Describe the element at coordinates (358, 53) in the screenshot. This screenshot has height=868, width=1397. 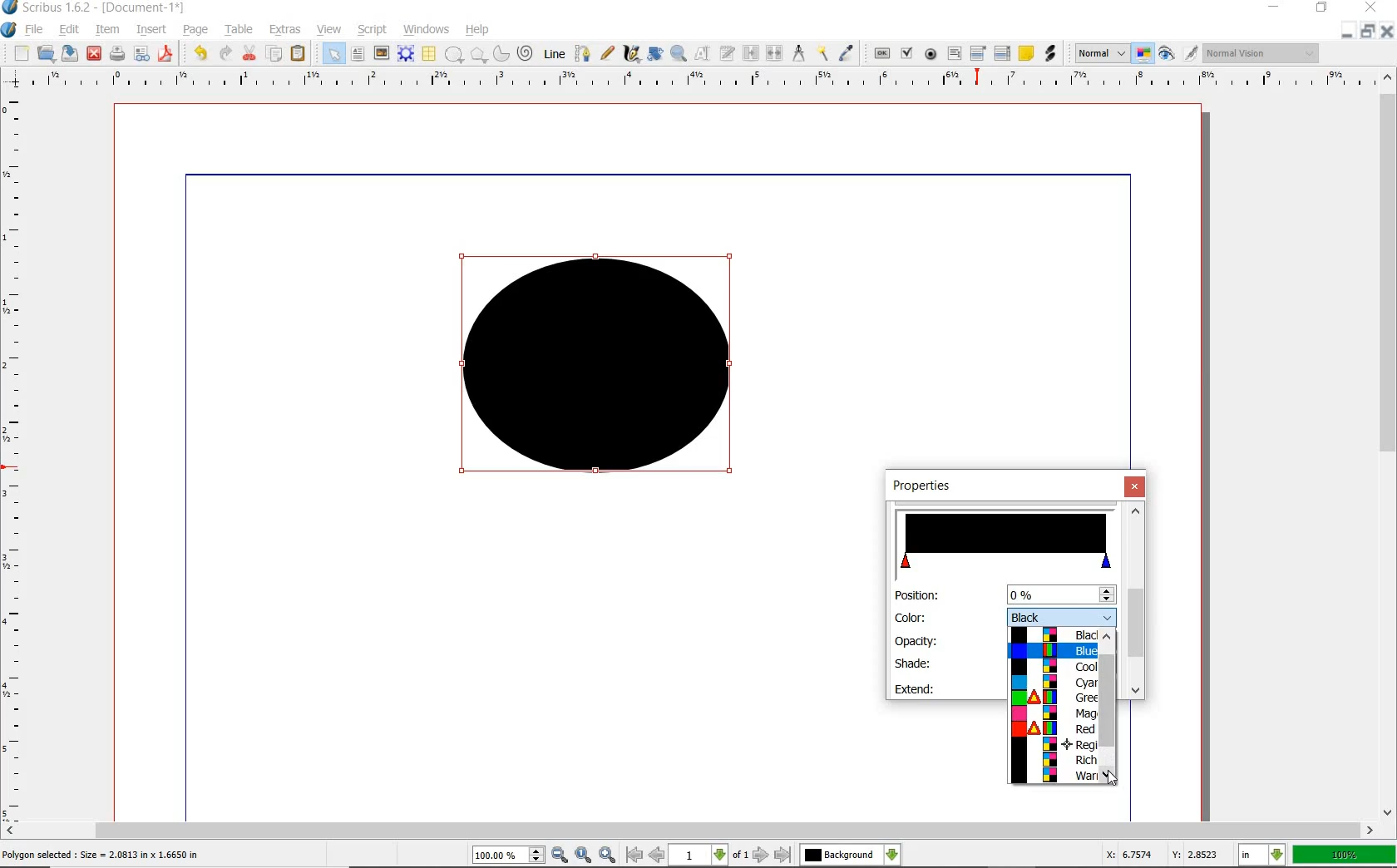
I see `TEXT FRAME` at that location.